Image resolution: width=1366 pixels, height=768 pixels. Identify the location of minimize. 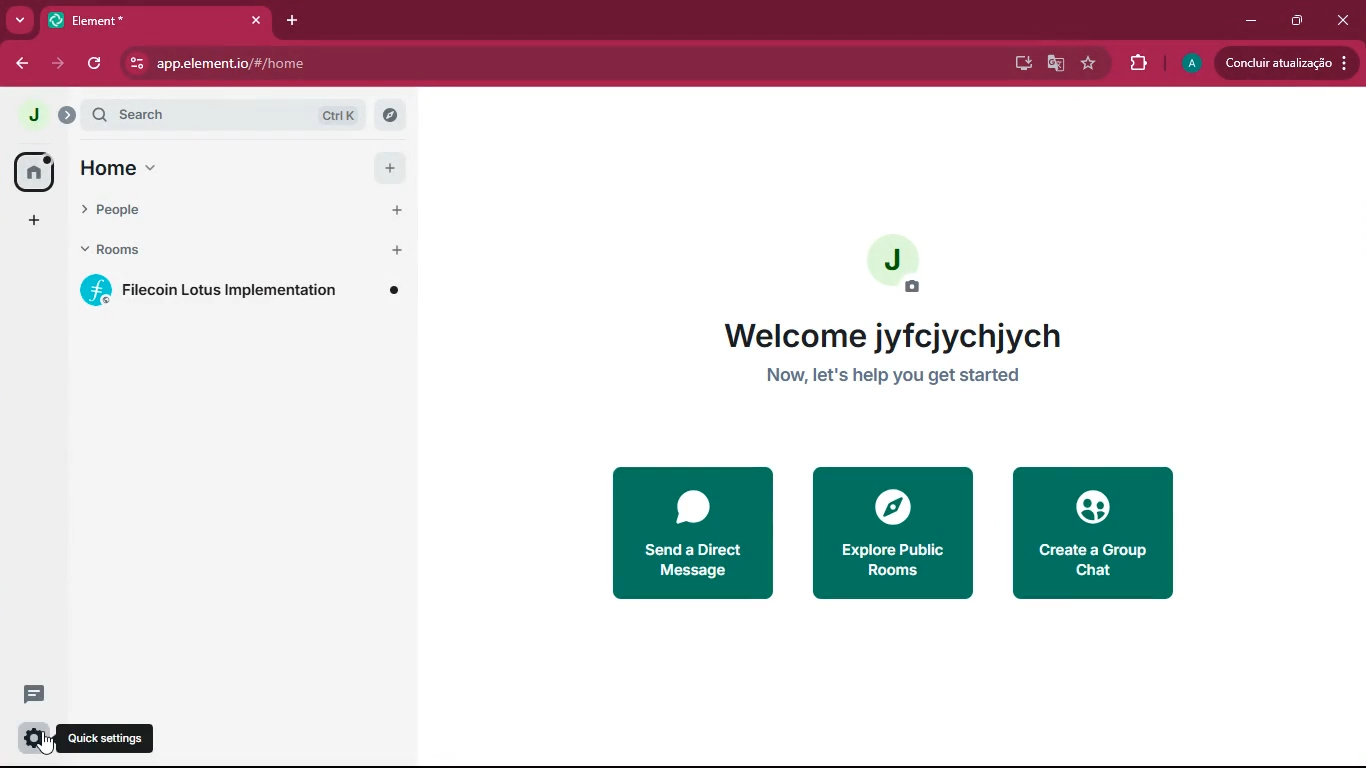
(1247, 21).